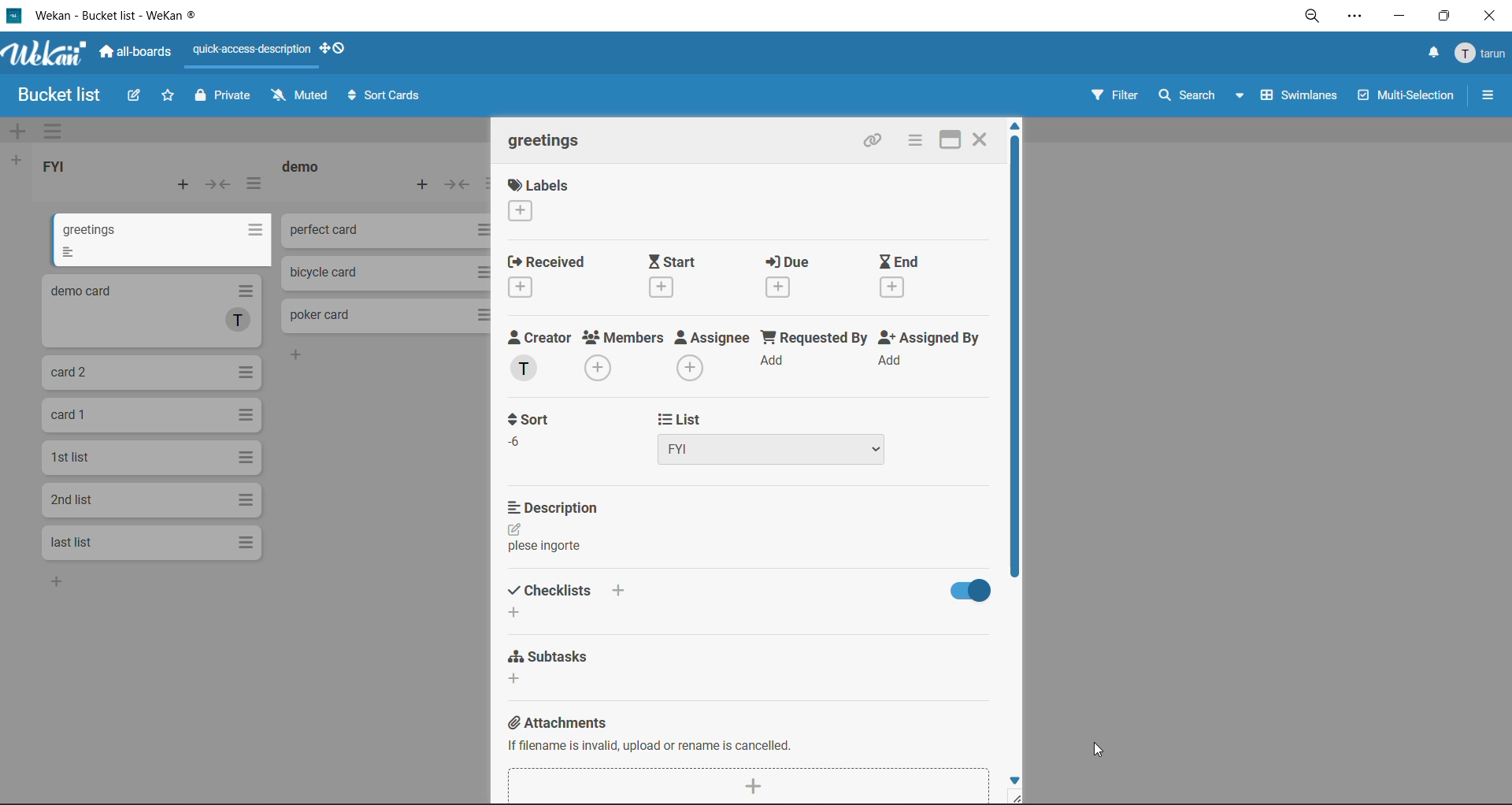  What do you see at coordinates (895, 275) in the screenshot?
I see `end` at bounding box center [895, 275].